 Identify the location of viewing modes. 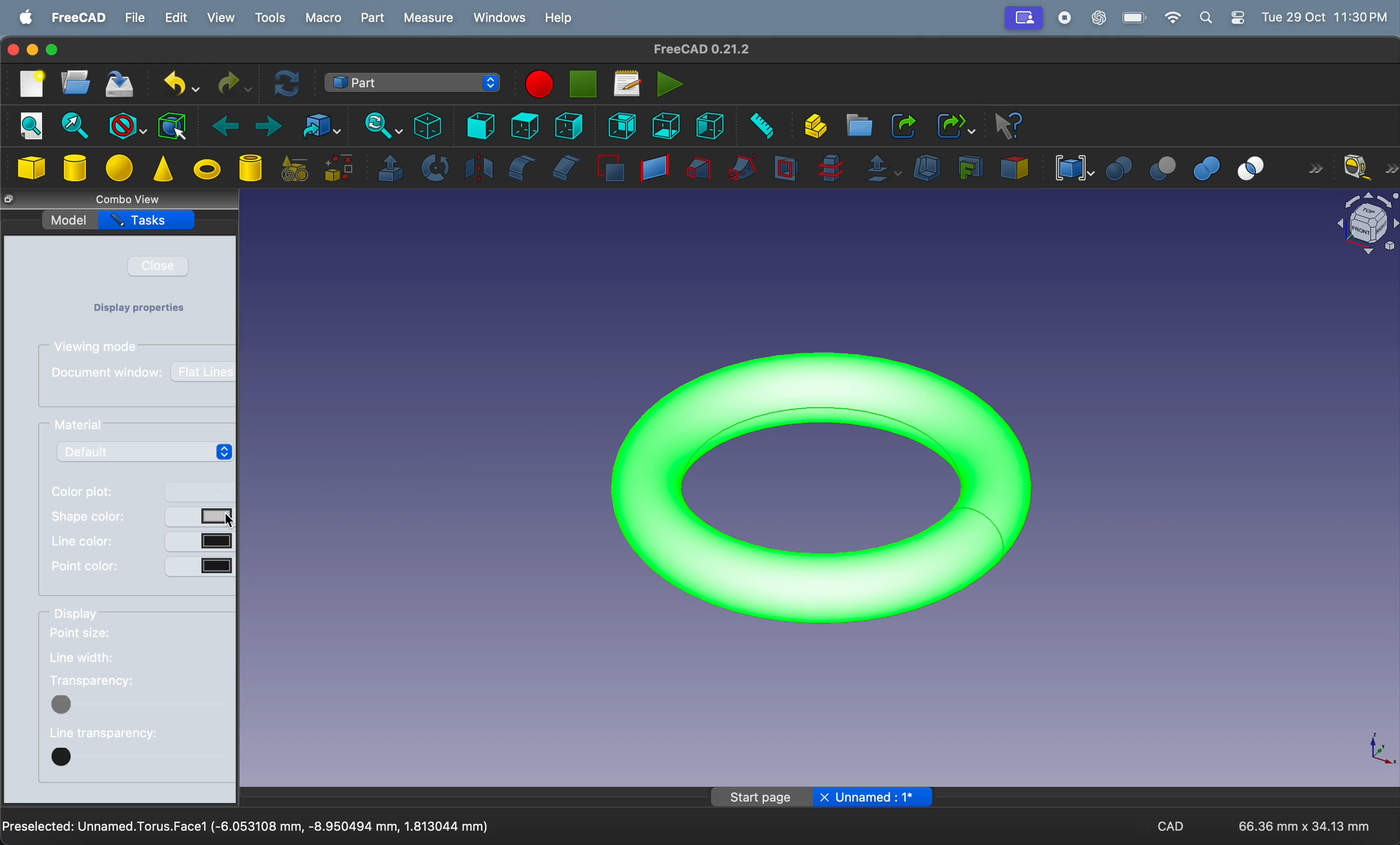
(95, 348).